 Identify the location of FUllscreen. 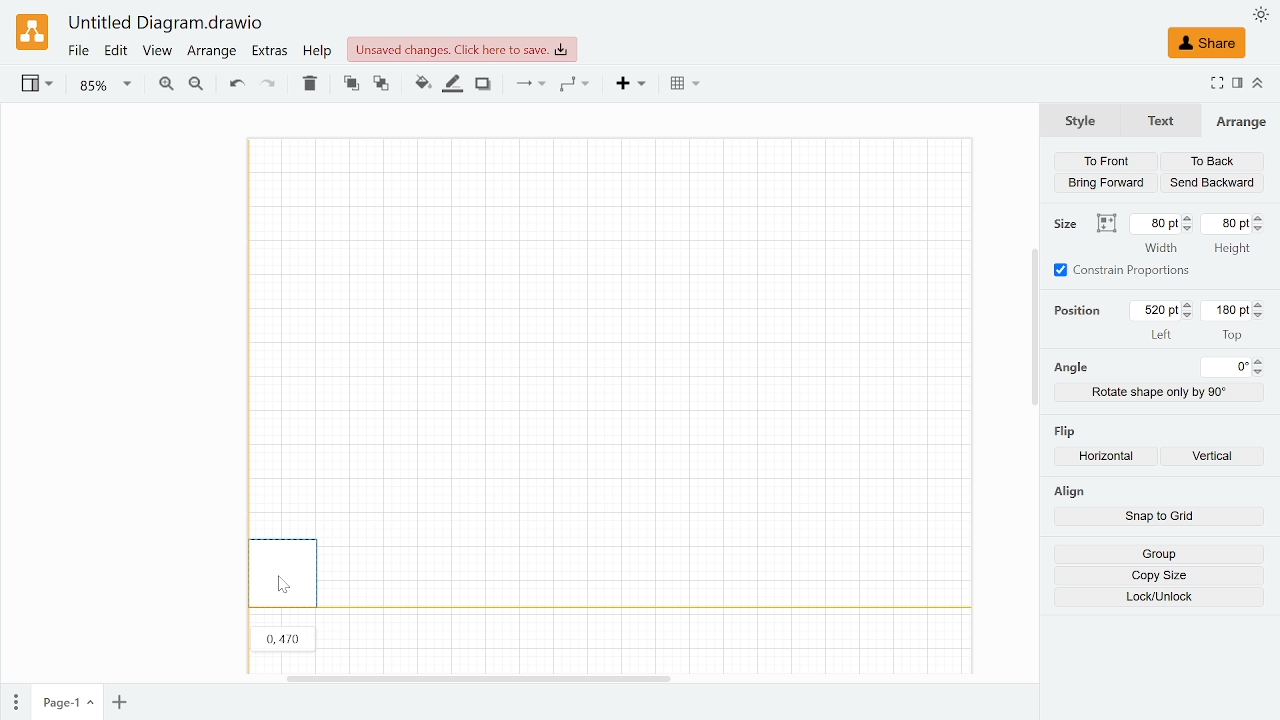
(1216, 85).